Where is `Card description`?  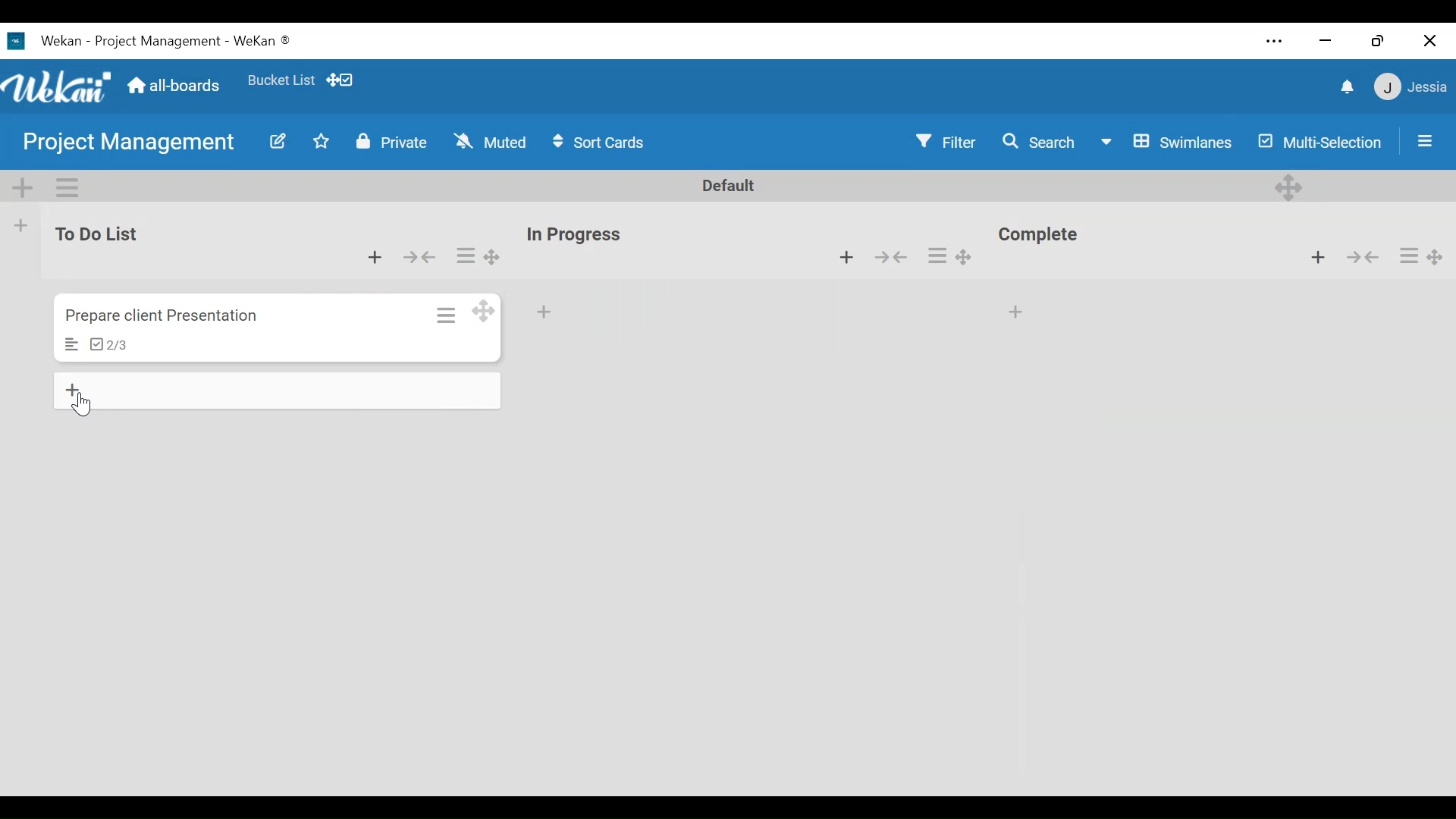 Card description is located at coordinates (72, 345).